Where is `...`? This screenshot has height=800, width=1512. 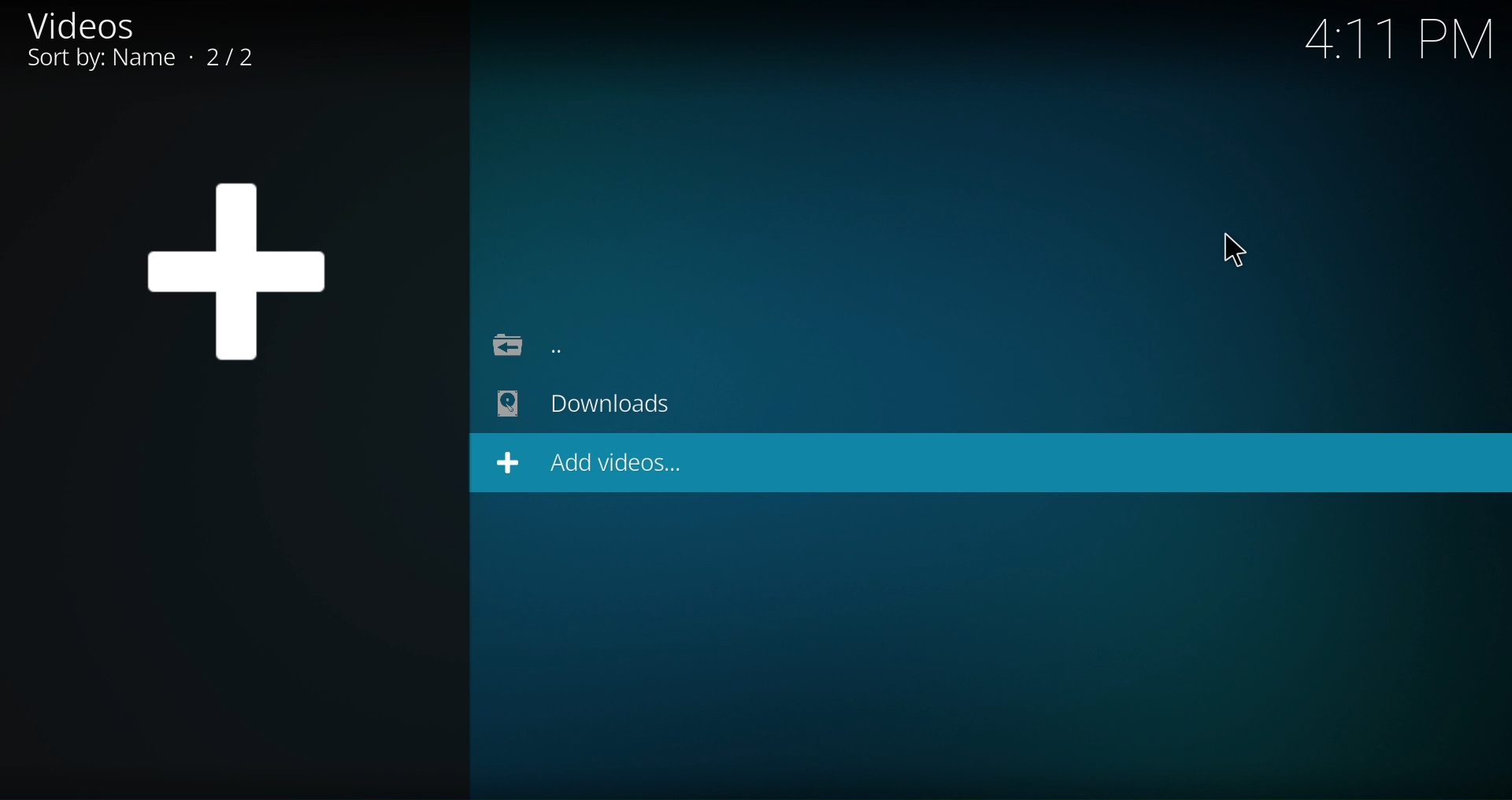
... is located at coordinates (571, 350).